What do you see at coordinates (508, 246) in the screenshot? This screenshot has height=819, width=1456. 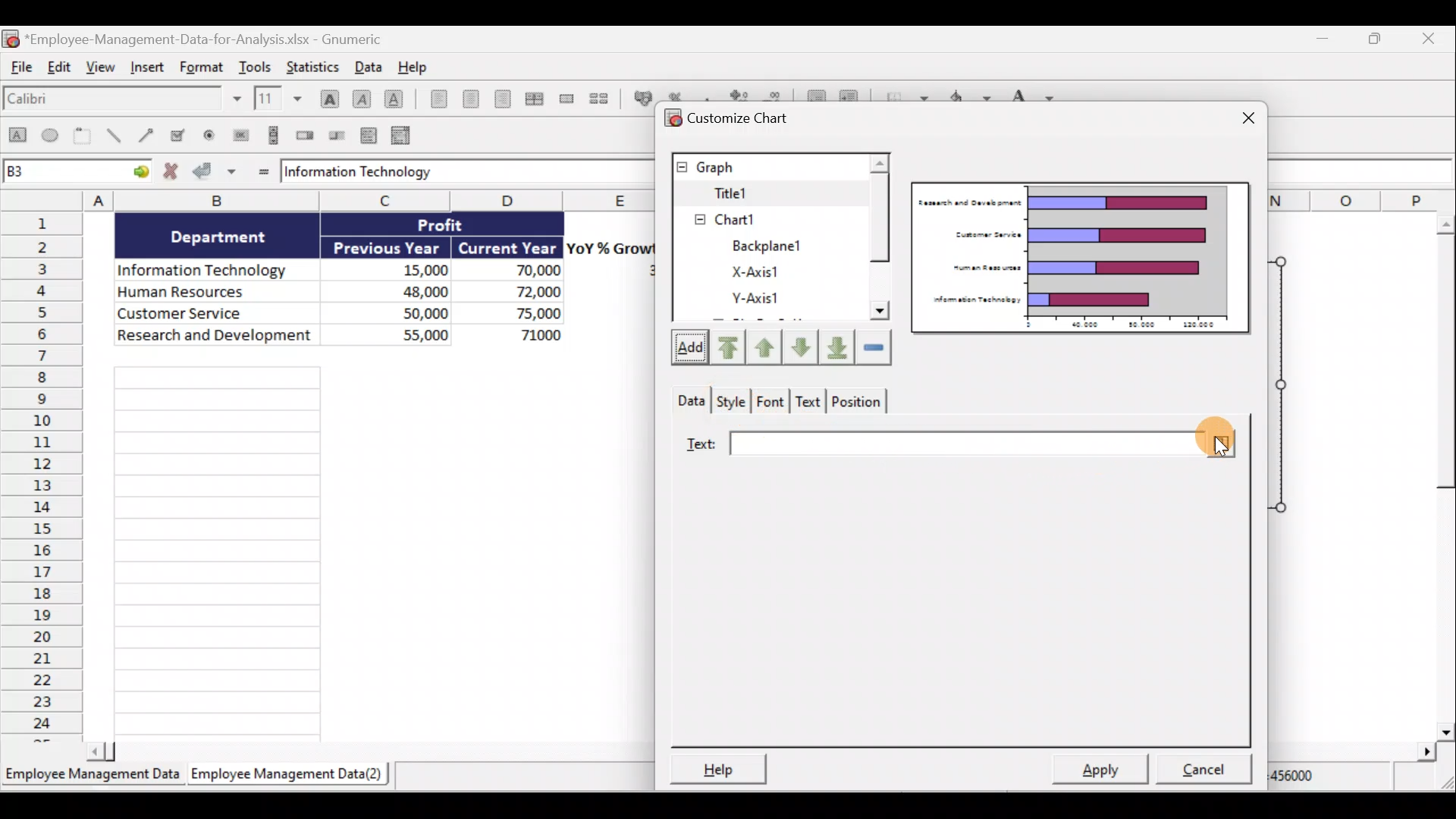 I see `Current Year` at bounding box center [508, 246].